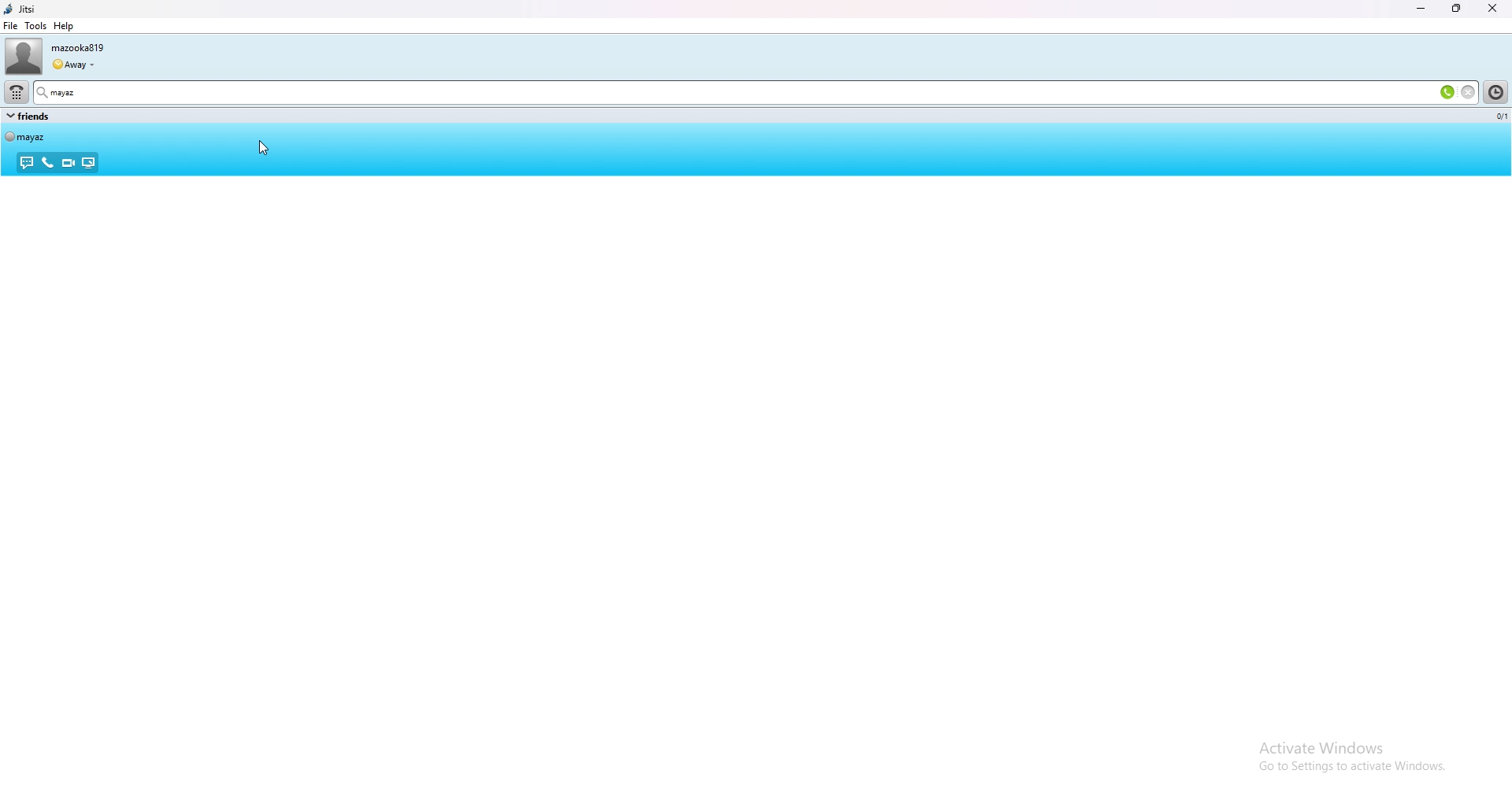 The image size is (1512, 811). Describe the element at coordinates (16, 92) in the screenshot. I see `dialpad` at that location.